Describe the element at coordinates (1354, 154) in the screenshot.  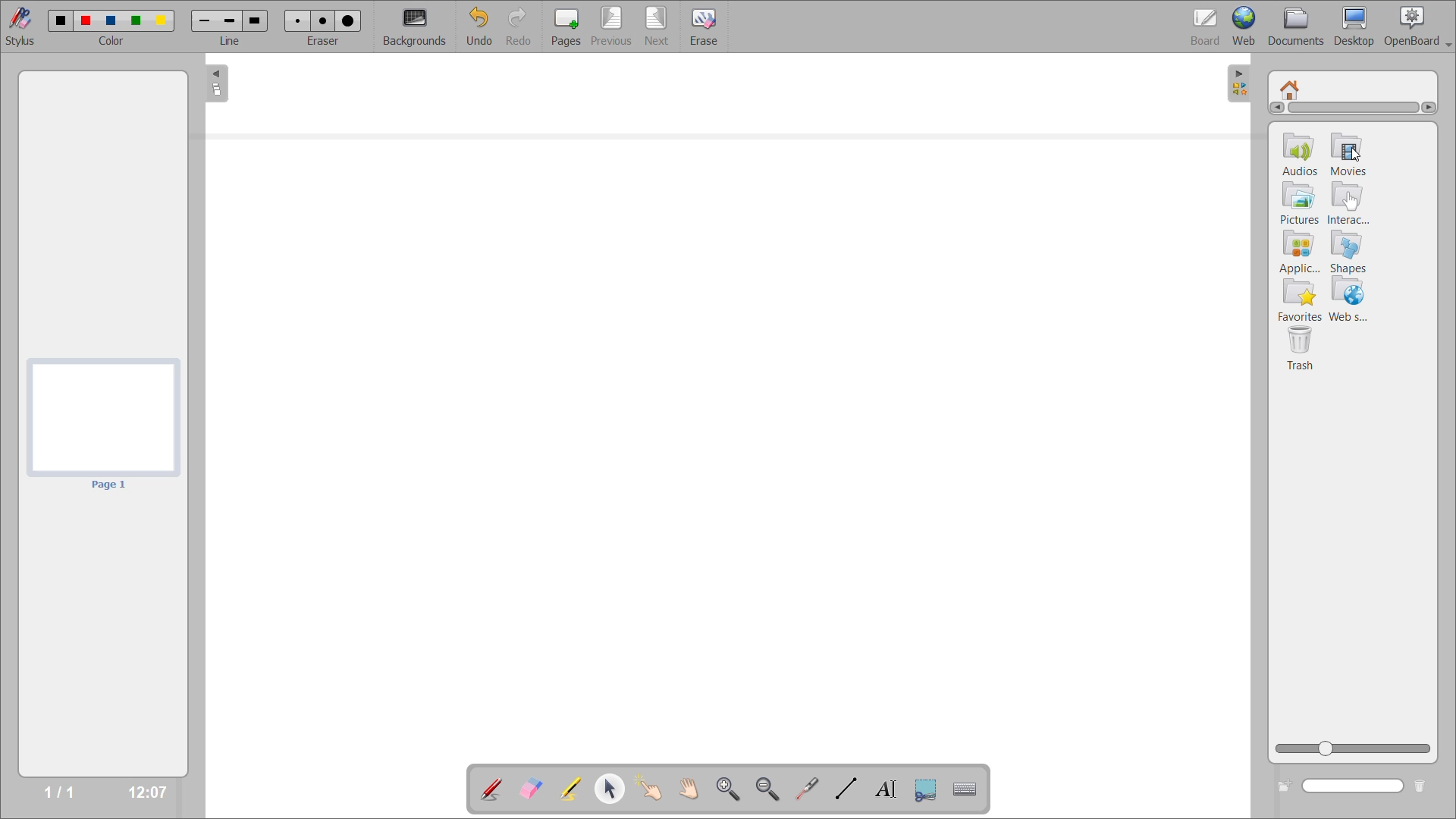
I see `cursor` at that location.